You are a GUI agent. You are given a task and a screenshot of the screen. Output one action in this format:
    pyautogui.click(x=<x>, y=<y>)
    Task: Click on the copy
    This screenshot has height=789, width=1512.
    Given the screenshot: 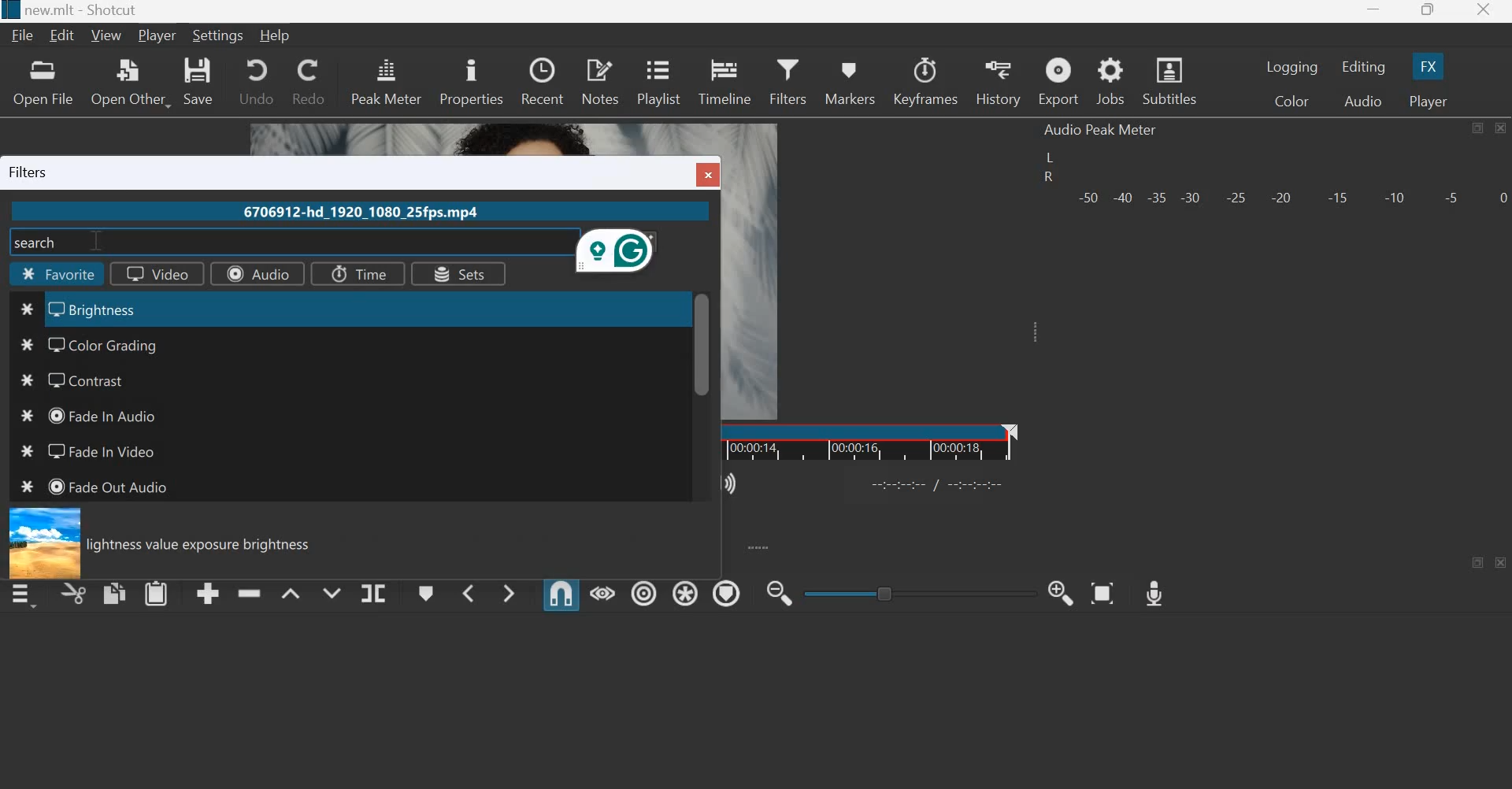 What is the action you would take?
    pyautogui.click(x=115, y=592)
    